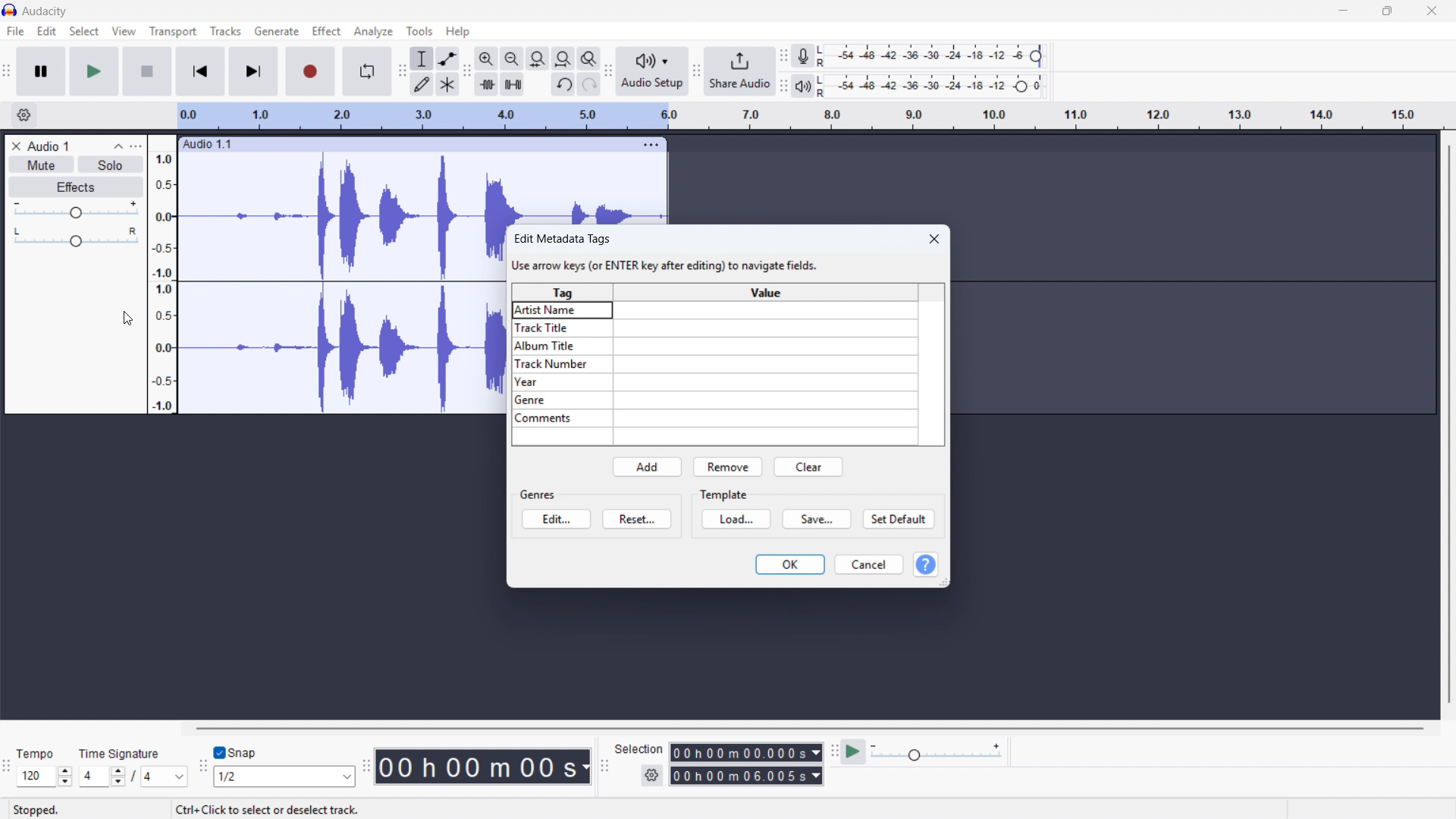 The height and width of the screenshot is (819, 1456). Describe the element at coordinates (652, 776) in the screenshot. I see `selection settings` at that location.